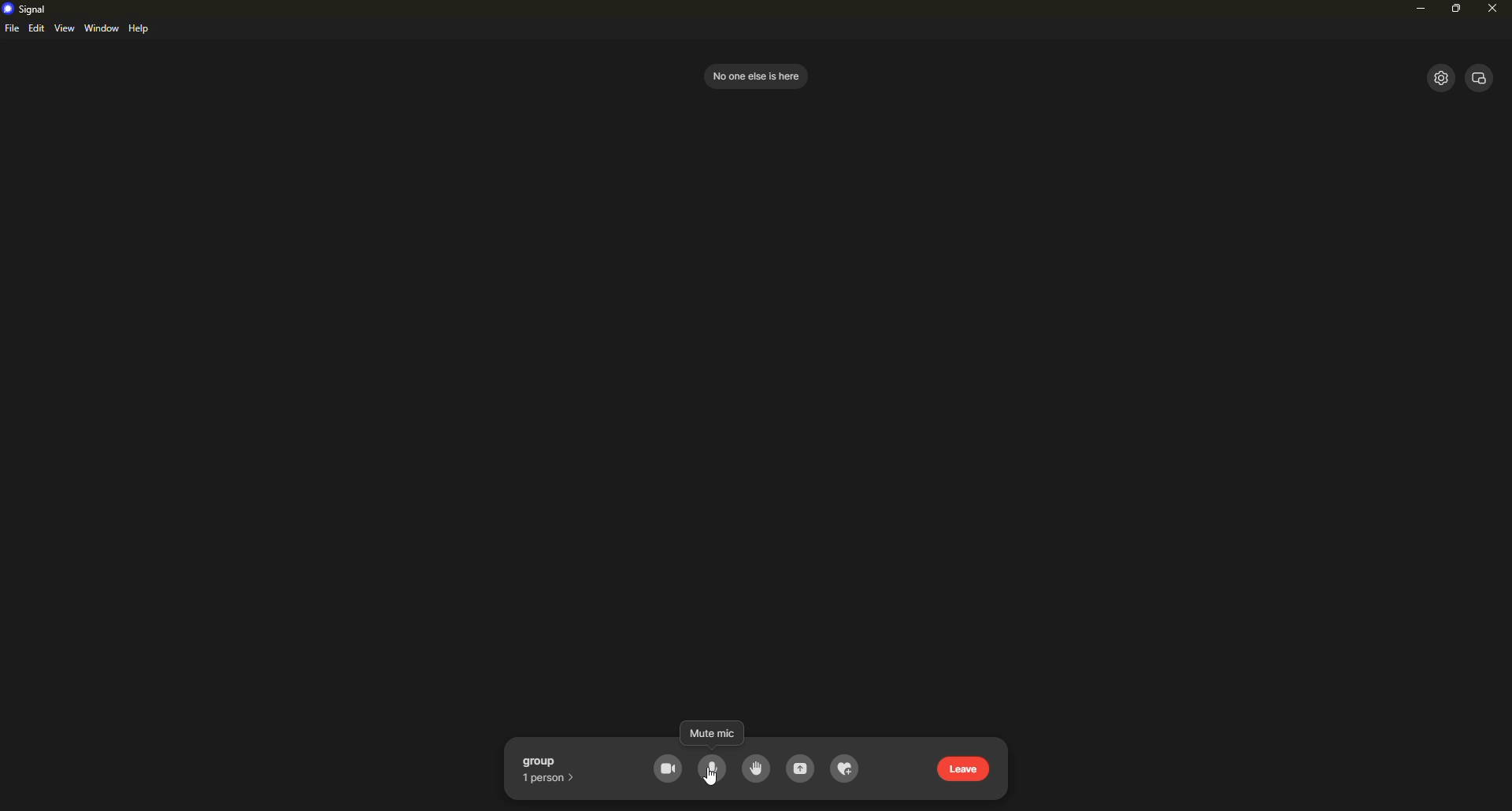 Image resolution: width=1512 pixels, height=811 pixels. I want to click on signal, so click(27, 8).